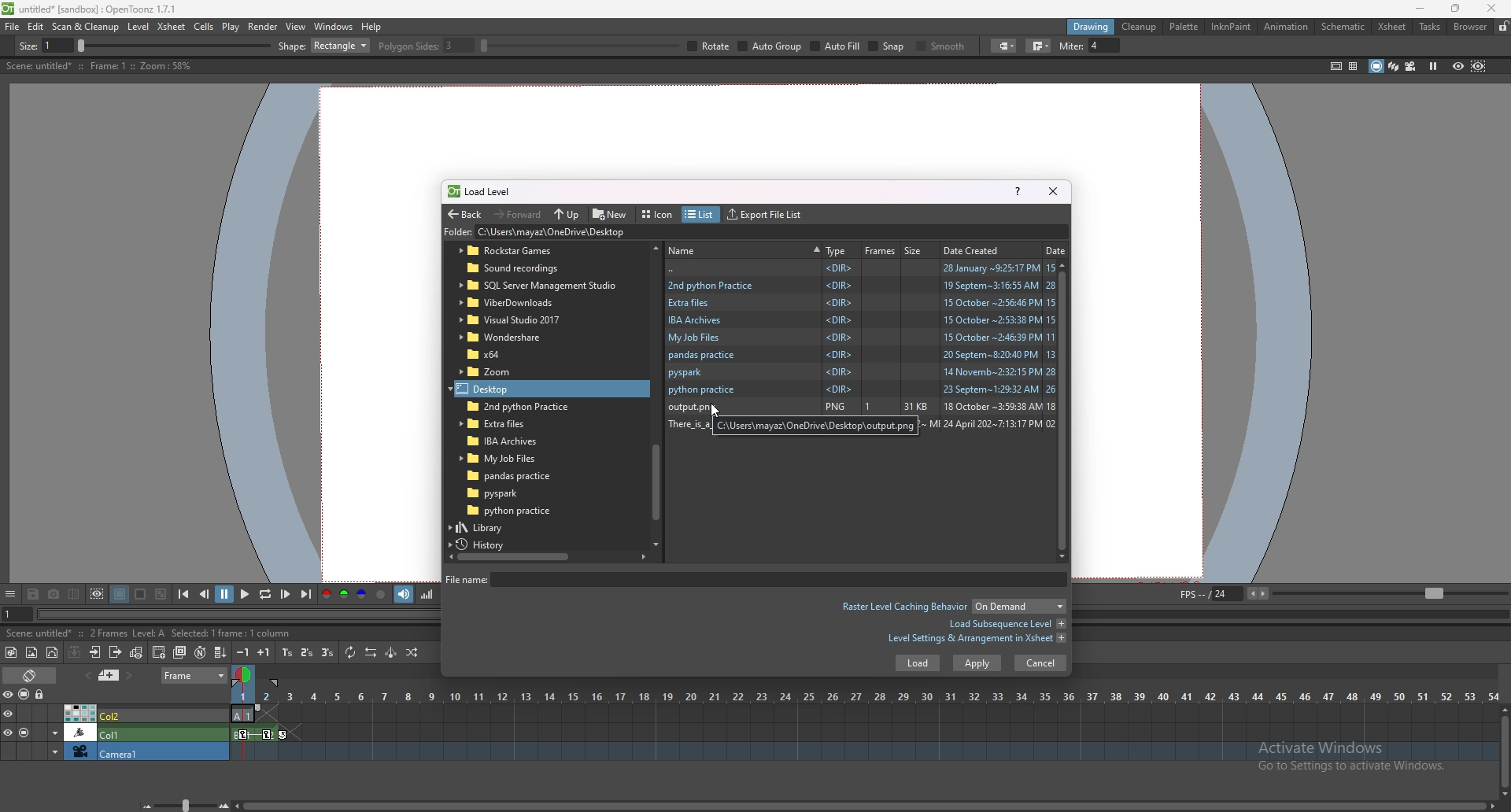 The width and height of the screenshot is (1511, 812). What do you see at coordinates (714, 411) in the screenshot?
I see `cursor` at bounding box center [714, 411].